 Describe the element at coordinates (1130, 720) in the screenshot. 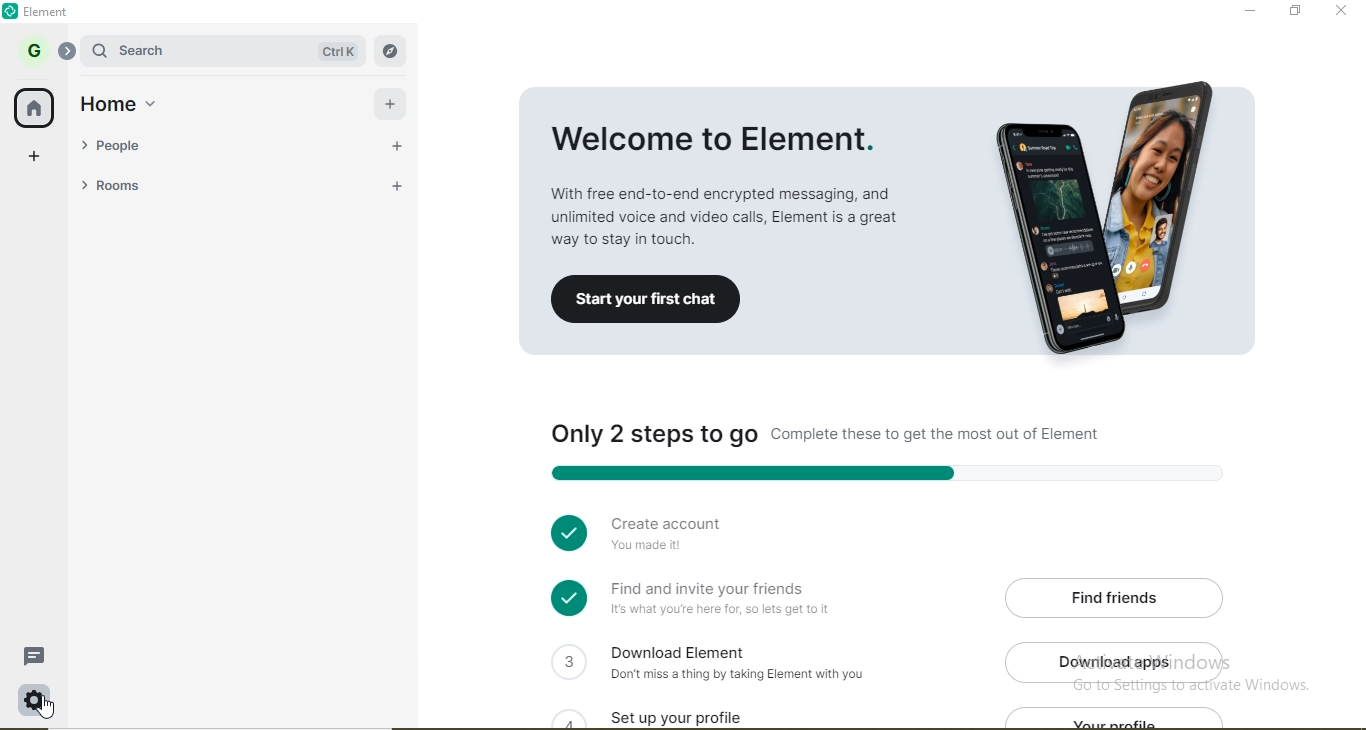

I see `your profile` at that location.